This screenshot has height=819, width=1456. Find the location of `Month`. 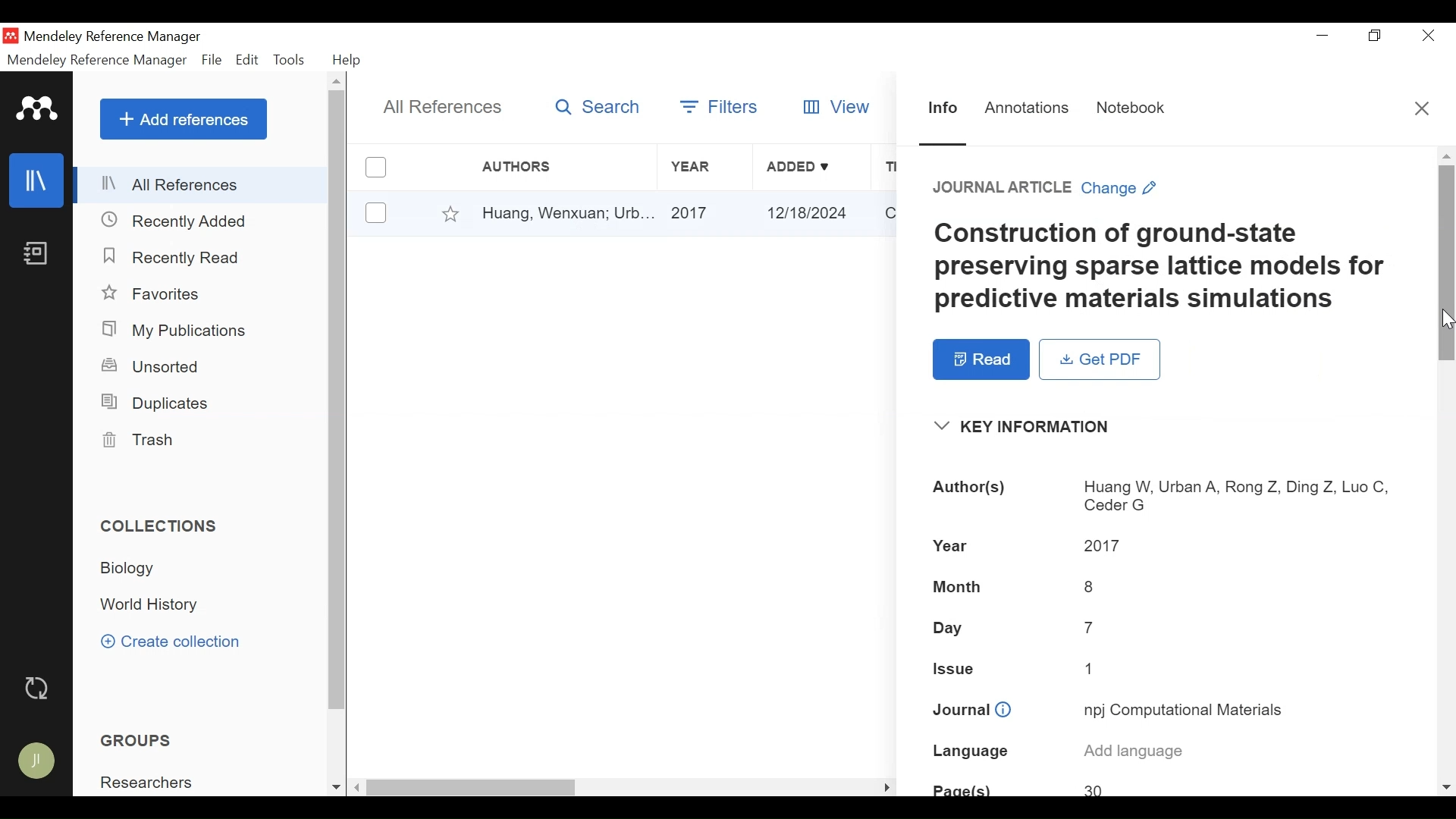

Month is located at coordinates (959, 588).